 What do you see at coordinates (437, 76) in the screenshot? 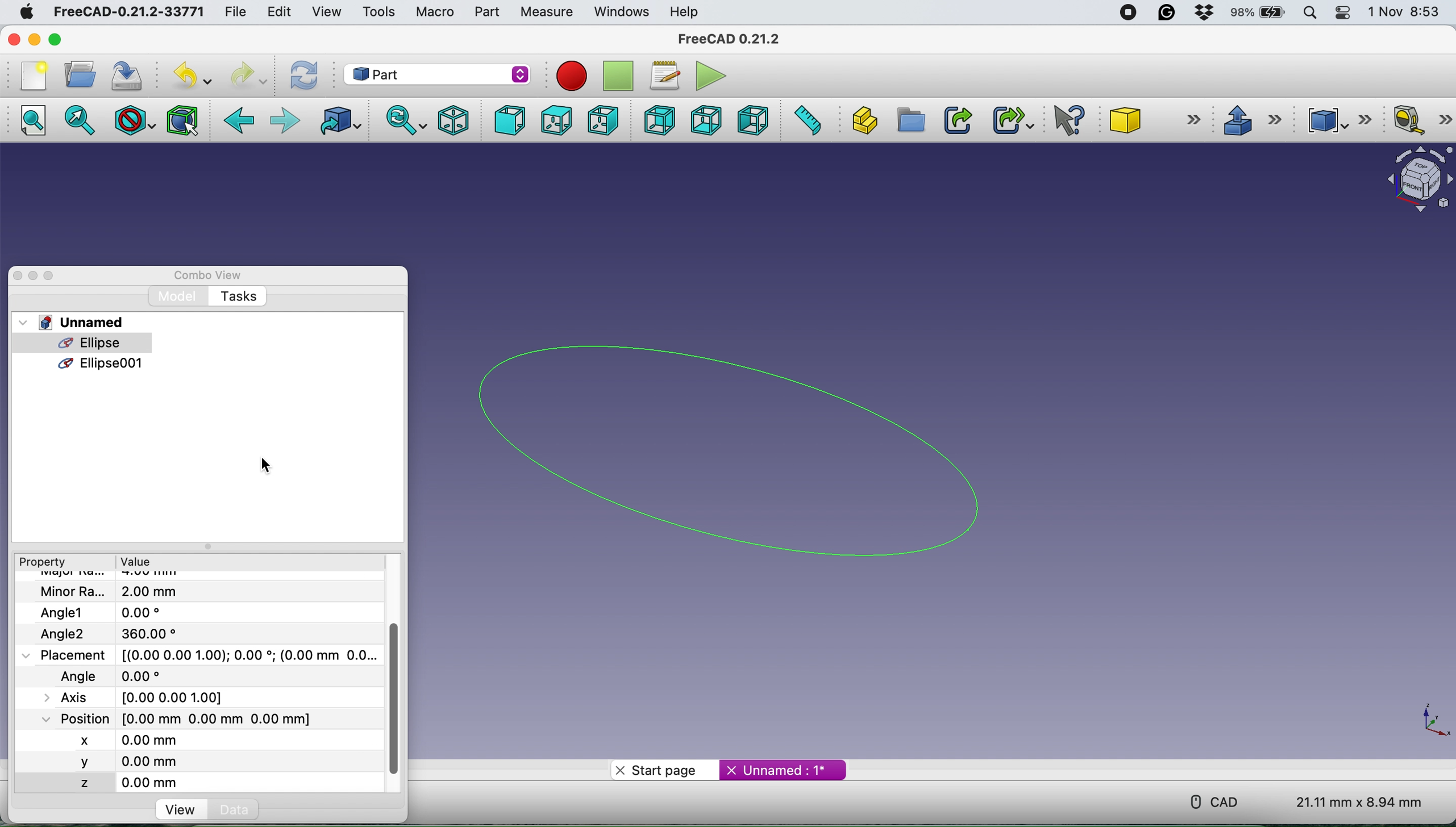
I see `workbench` at bounding box center [437, 76].